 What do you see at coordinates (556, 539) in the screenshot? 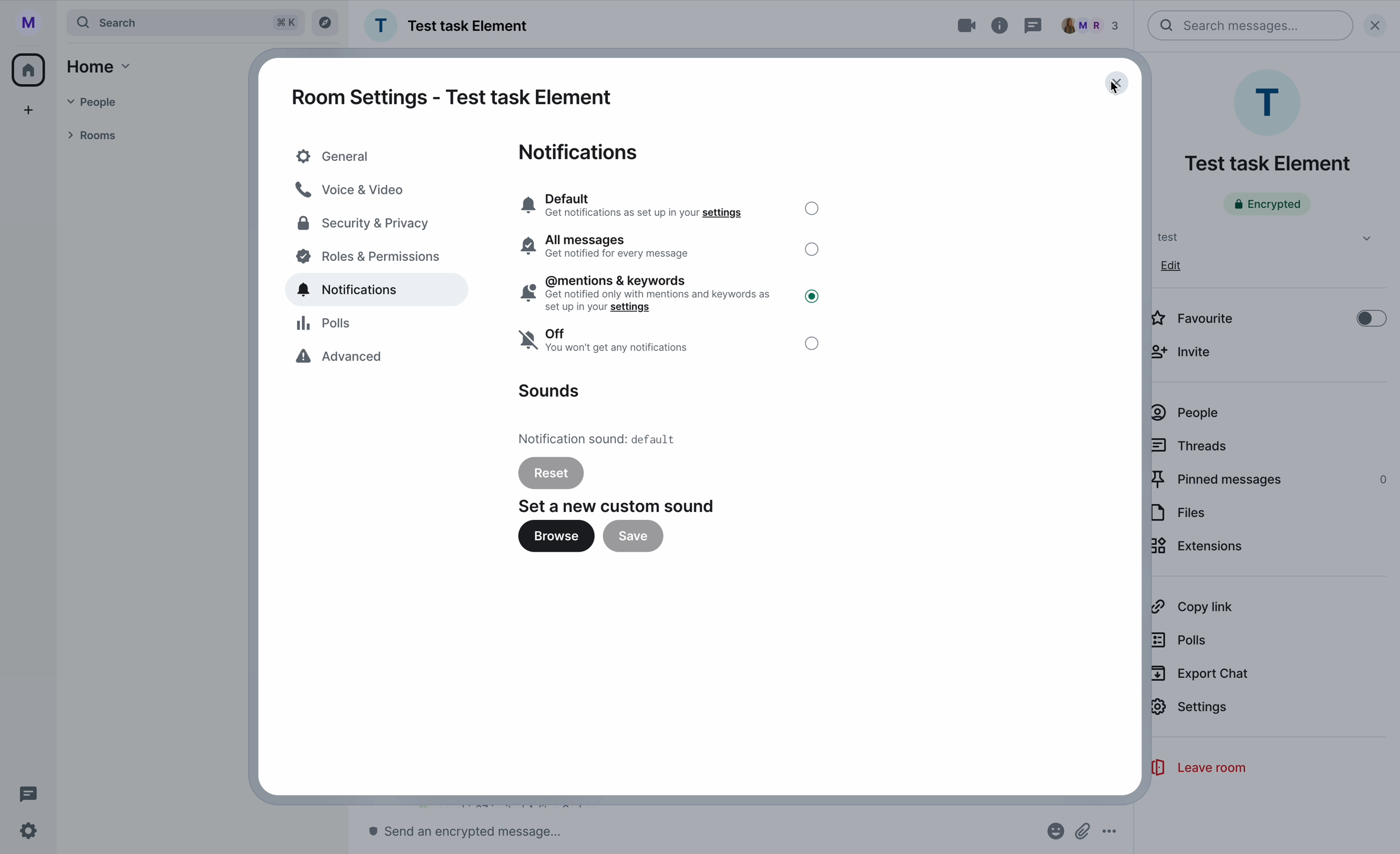
I see `browse button` at bounding box center [556, 539].